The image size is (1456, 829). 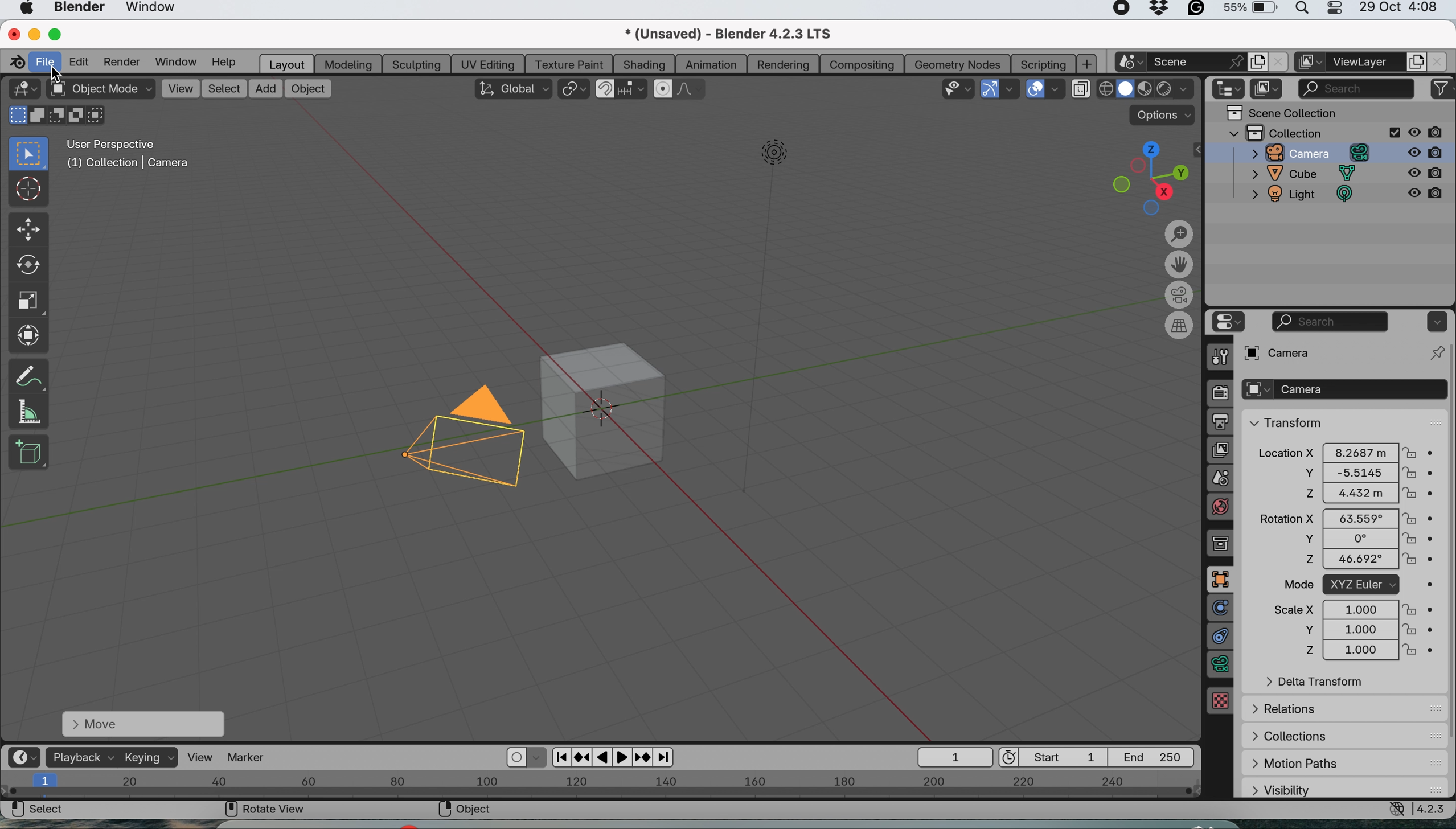 I want to click on window, so click(x=178, y=61).